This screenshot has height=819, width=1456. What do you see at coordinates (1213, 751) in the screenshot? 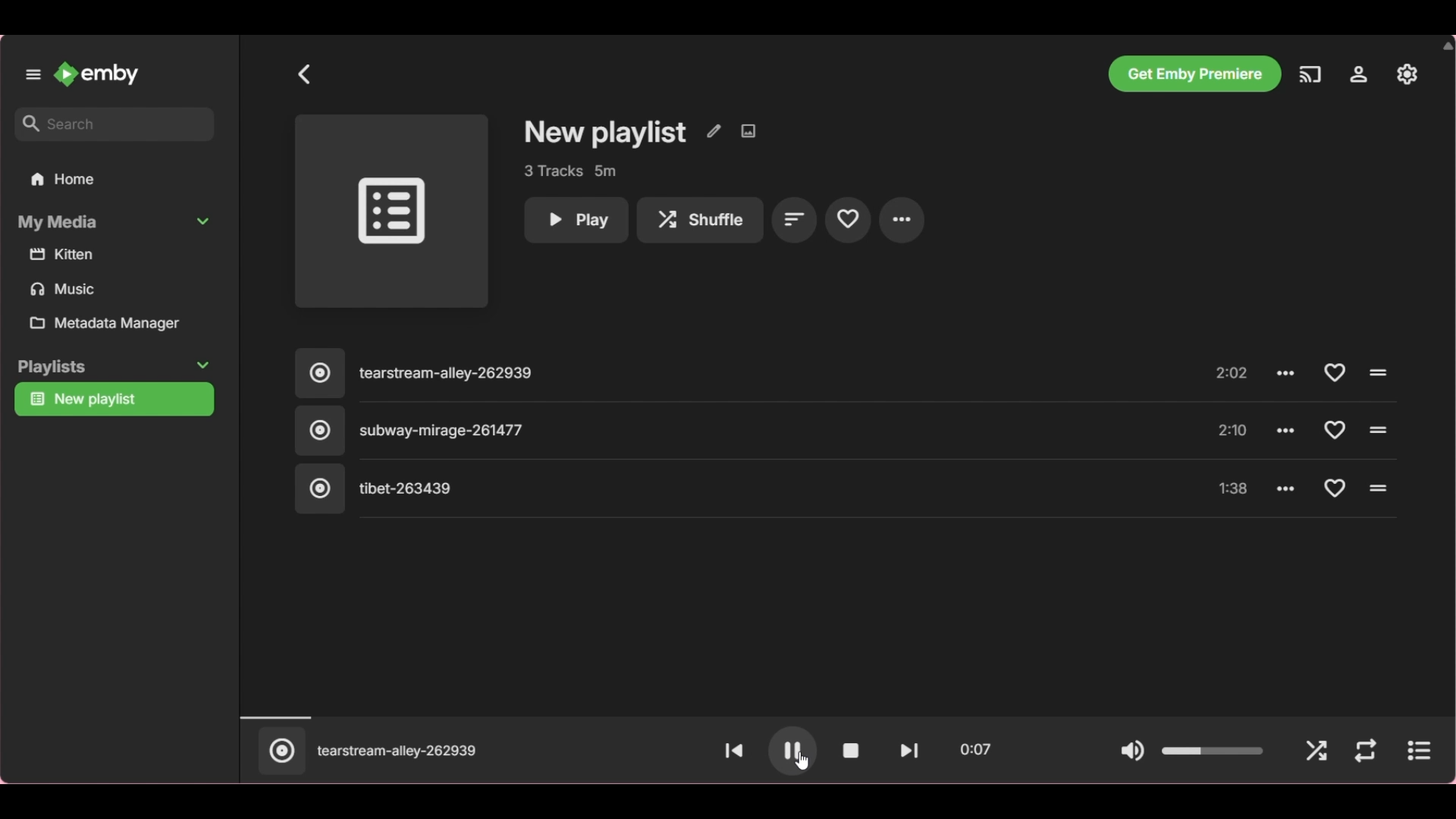
I see `Change volume of song` at bounding box center [1213, 751].